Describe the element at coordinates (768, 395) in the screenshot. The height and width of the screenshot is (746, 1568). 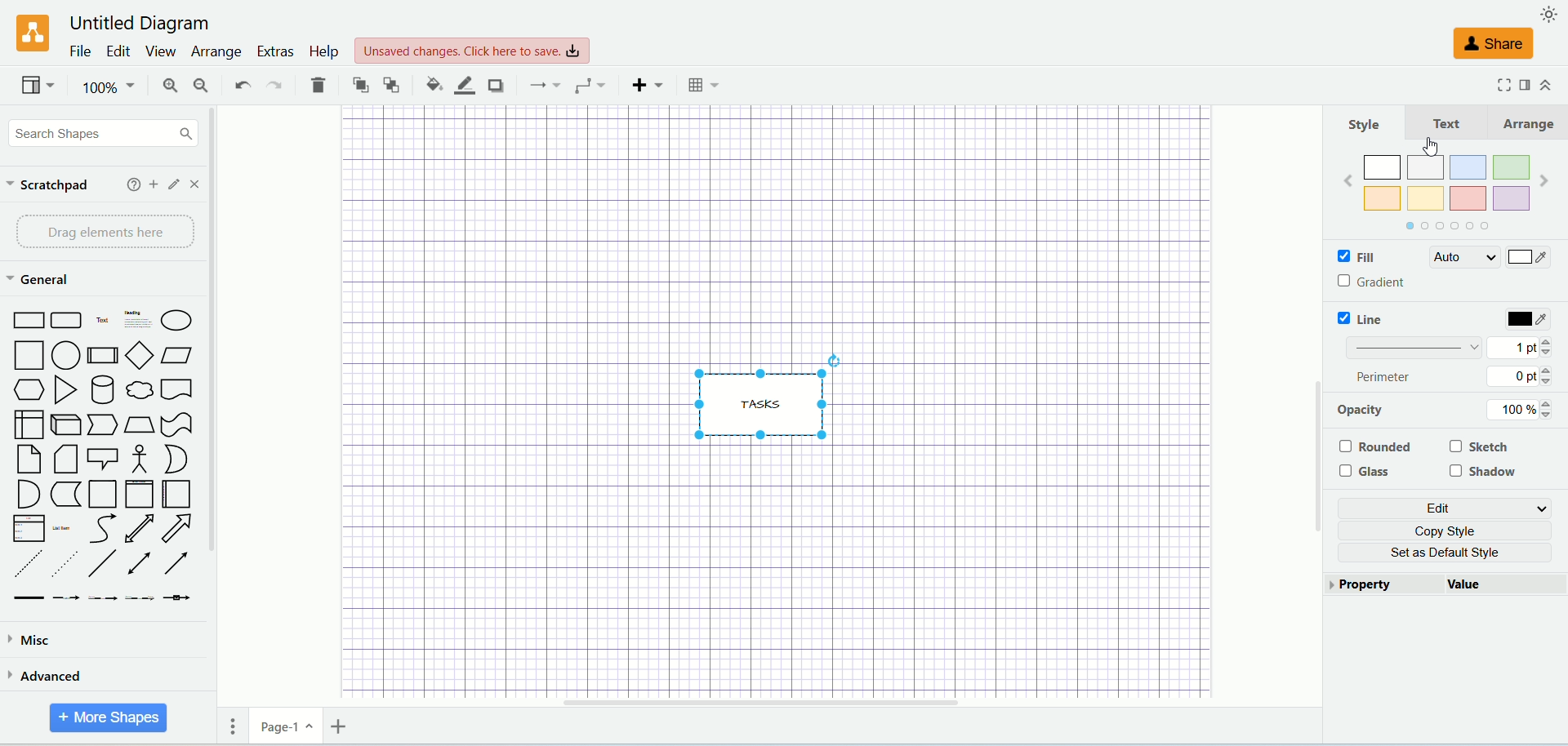
I see `Tasks` at that location.